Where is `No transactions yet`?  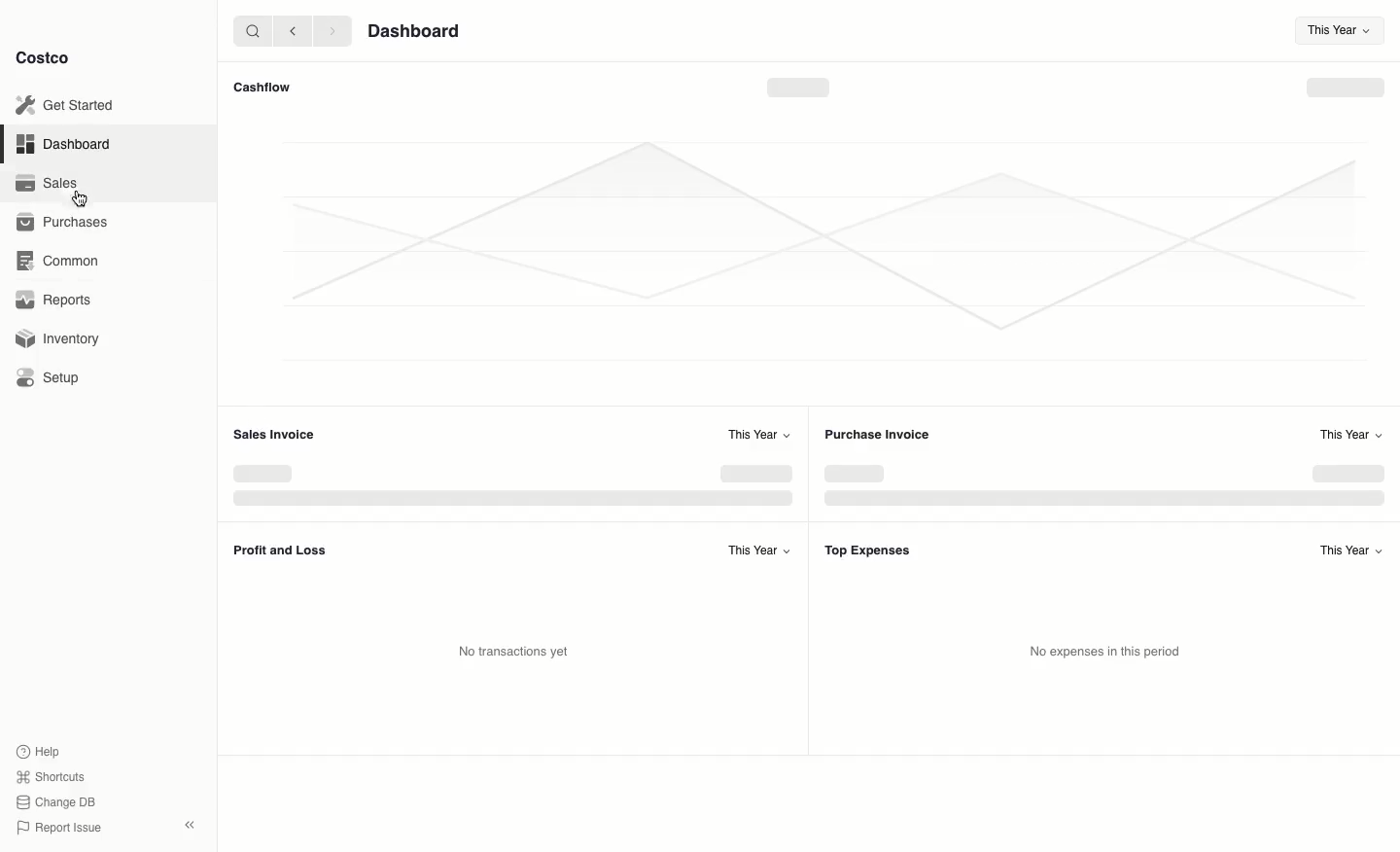 No transactions yet is located at coordinates (519, 651).